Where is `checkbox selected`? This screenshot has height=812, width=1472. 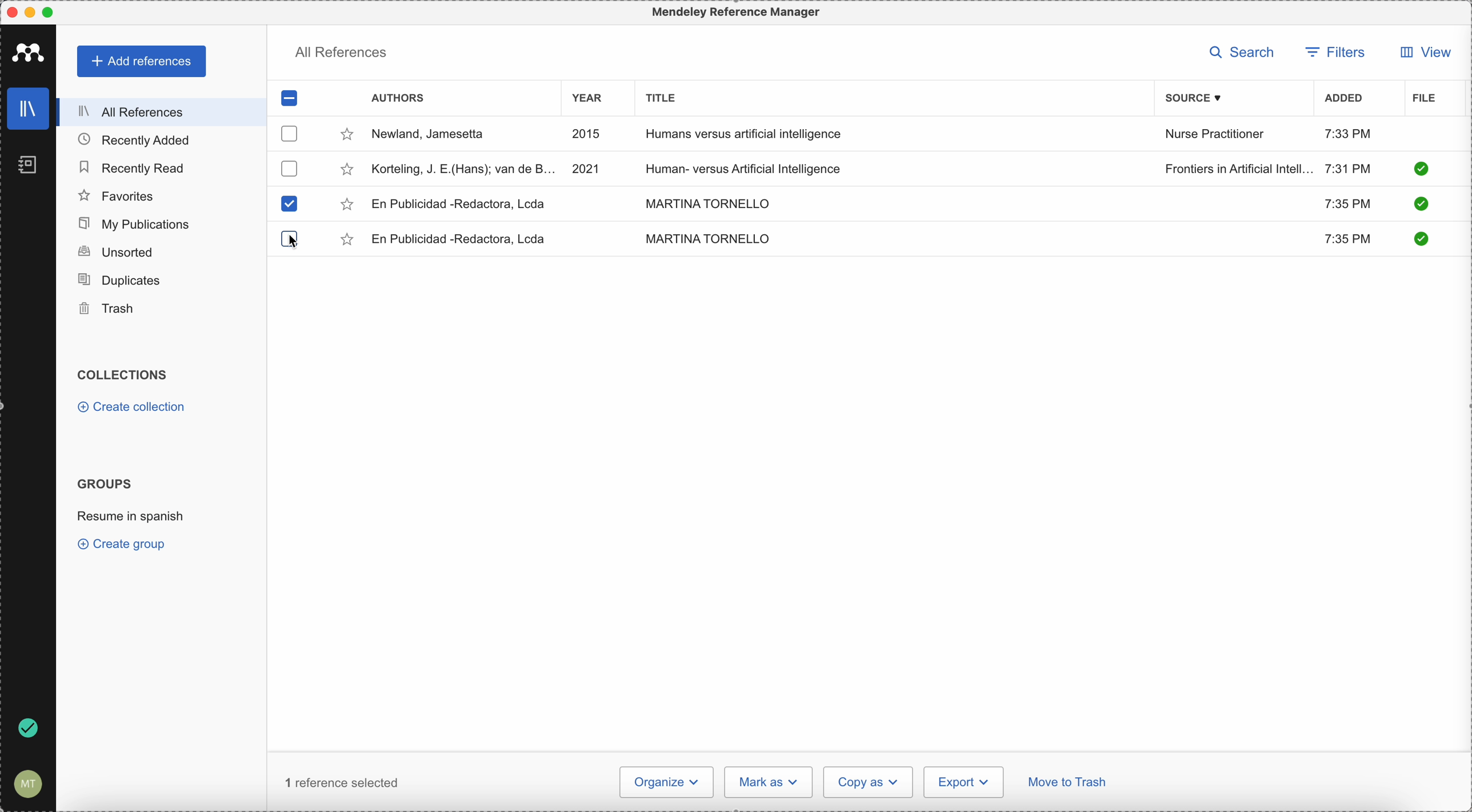
checkbox selected is located at coordinates (289, 204).